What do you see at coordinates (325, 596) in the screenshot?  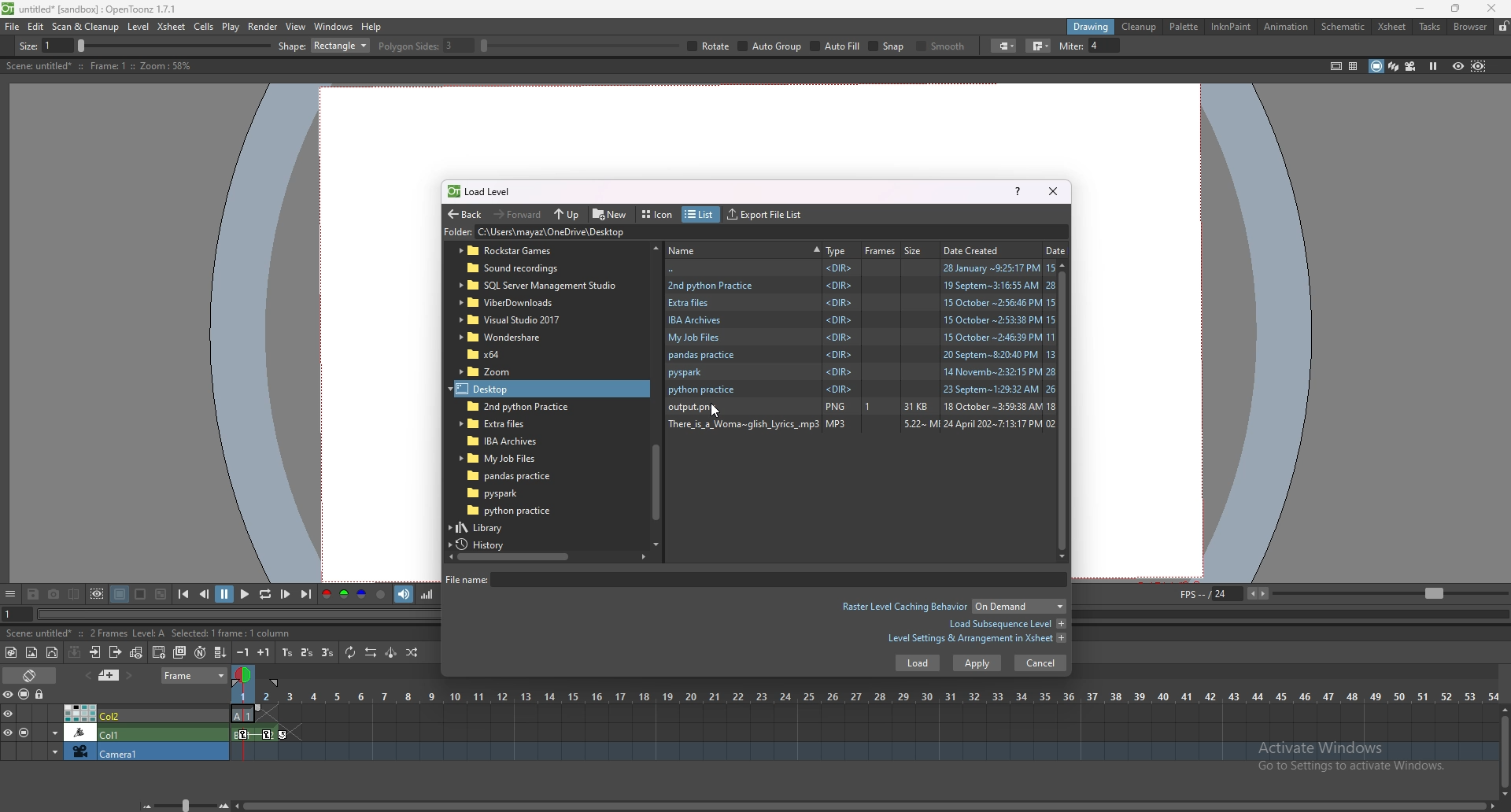 I see `red channel` at bounding box center [325, 596].